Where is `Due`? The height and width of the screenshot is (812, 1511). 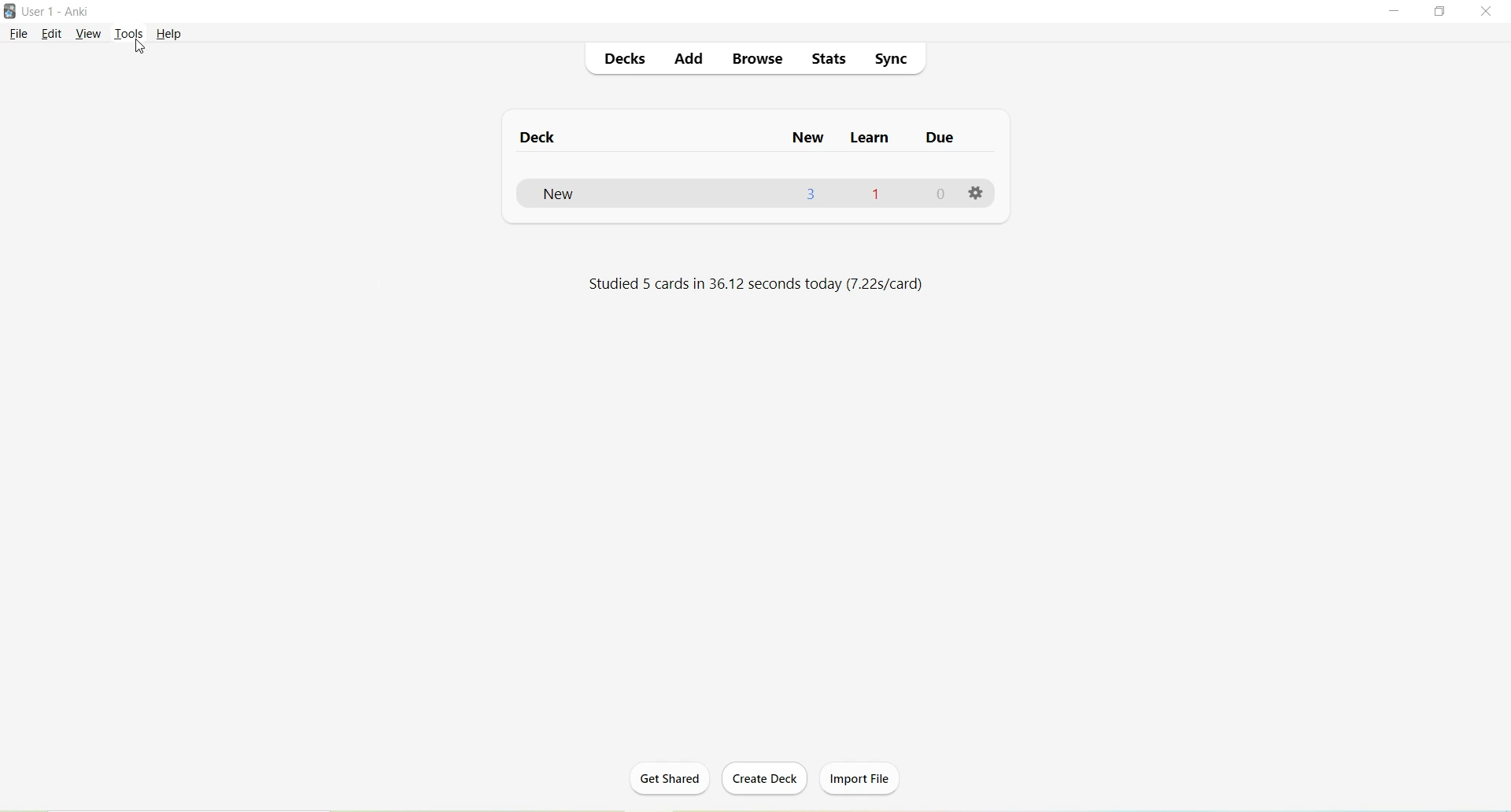 Due is located at coordinates (940, 141).